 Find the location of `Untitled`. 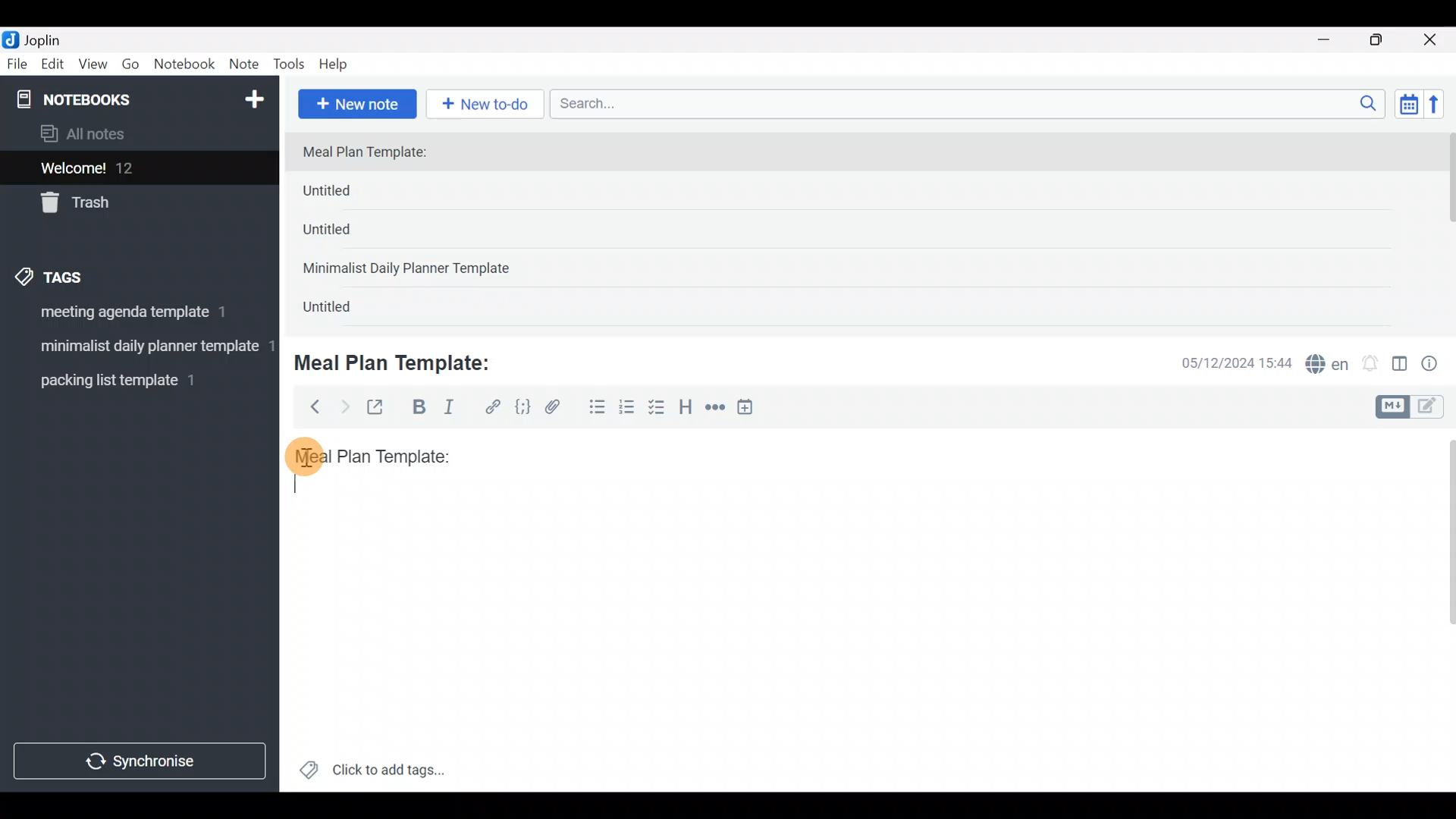

Untitled is located at coordinates (347, 234).